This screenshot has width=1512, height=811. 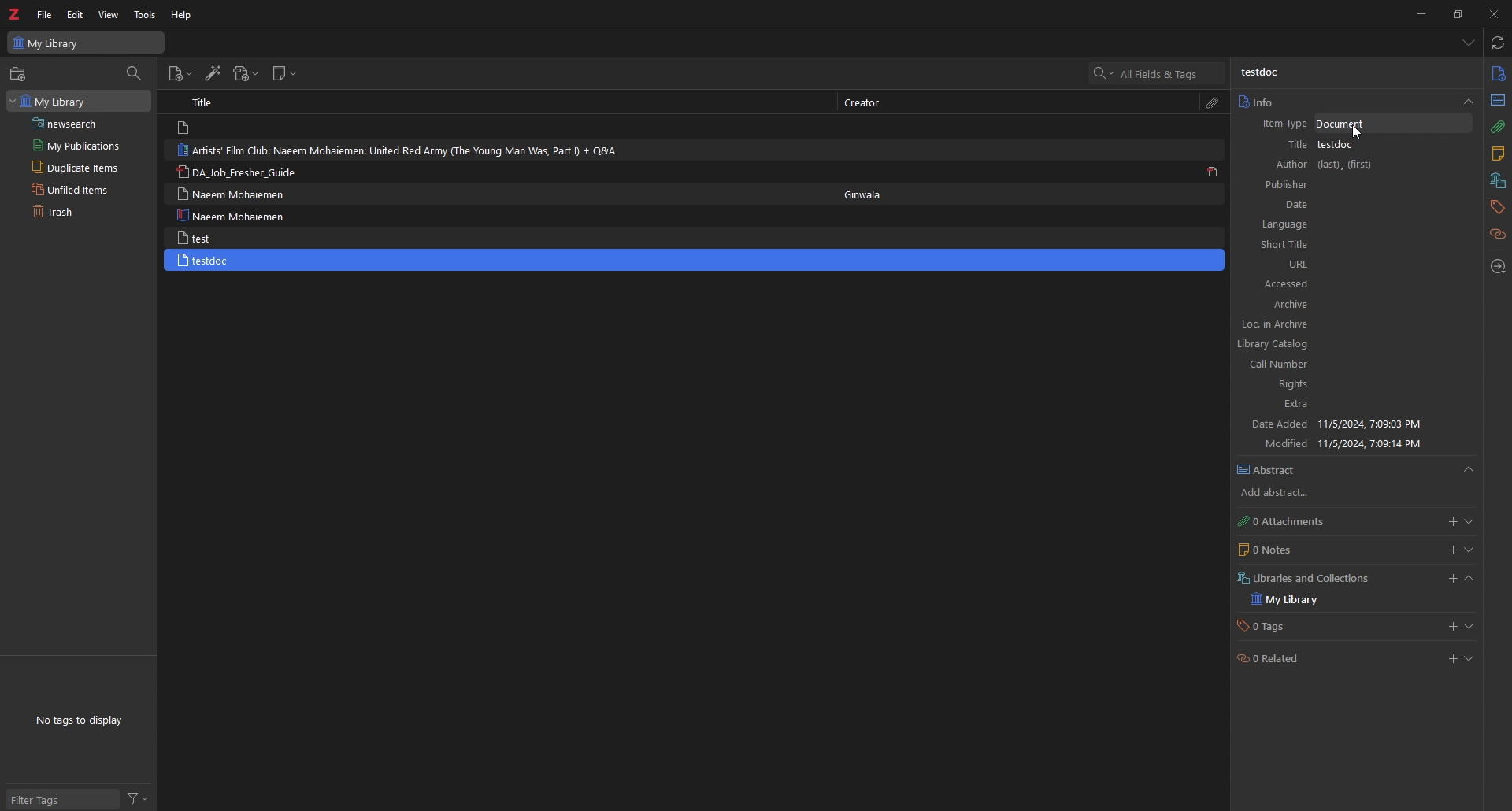 What do you see at coordinates (1451, 579) in the screenshot?
I see `add library and collections` at bounding box center [1451, 579].